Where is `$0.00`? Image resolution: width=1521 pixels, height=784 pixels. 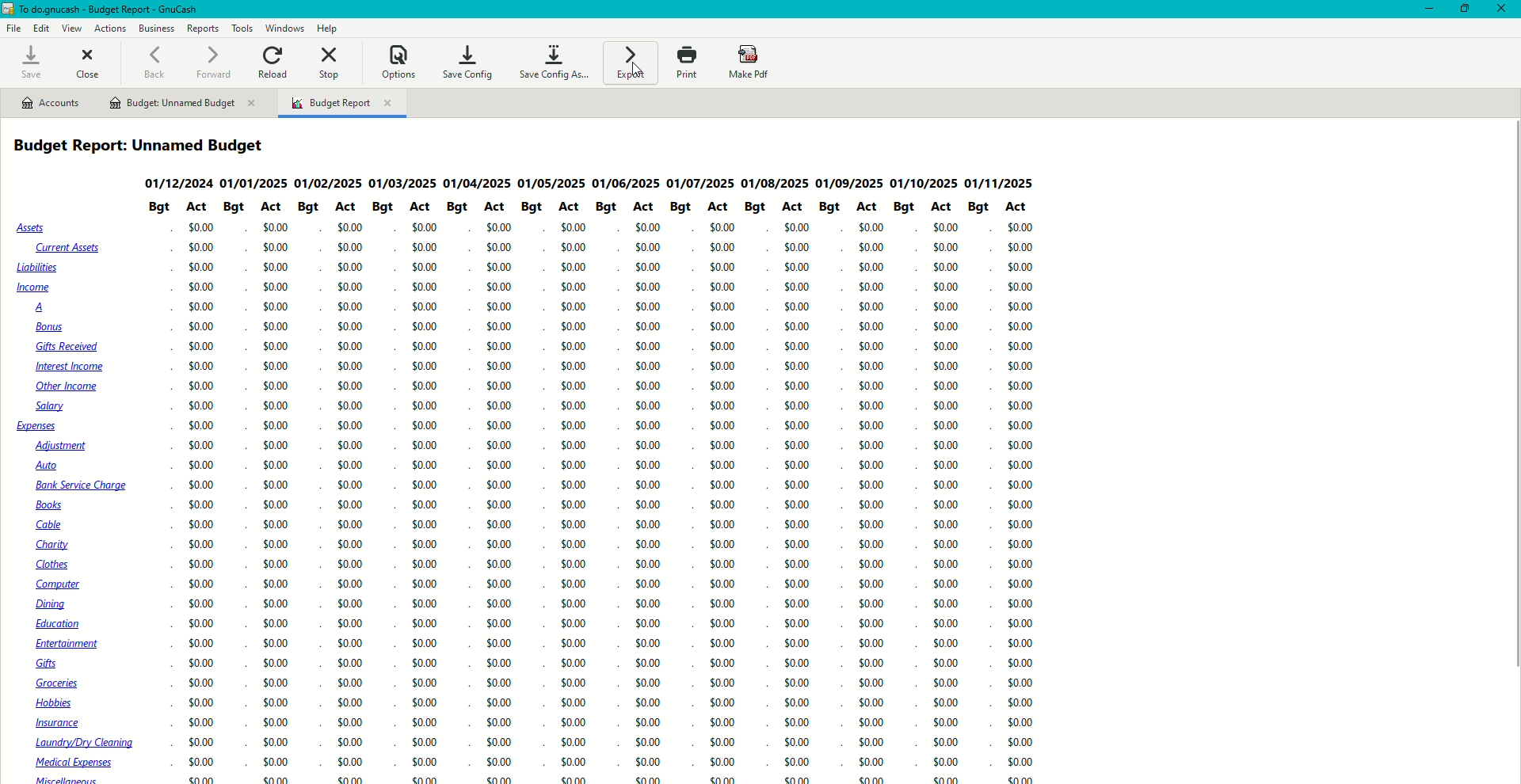
$0.00 is located at coordinates (504, 387).